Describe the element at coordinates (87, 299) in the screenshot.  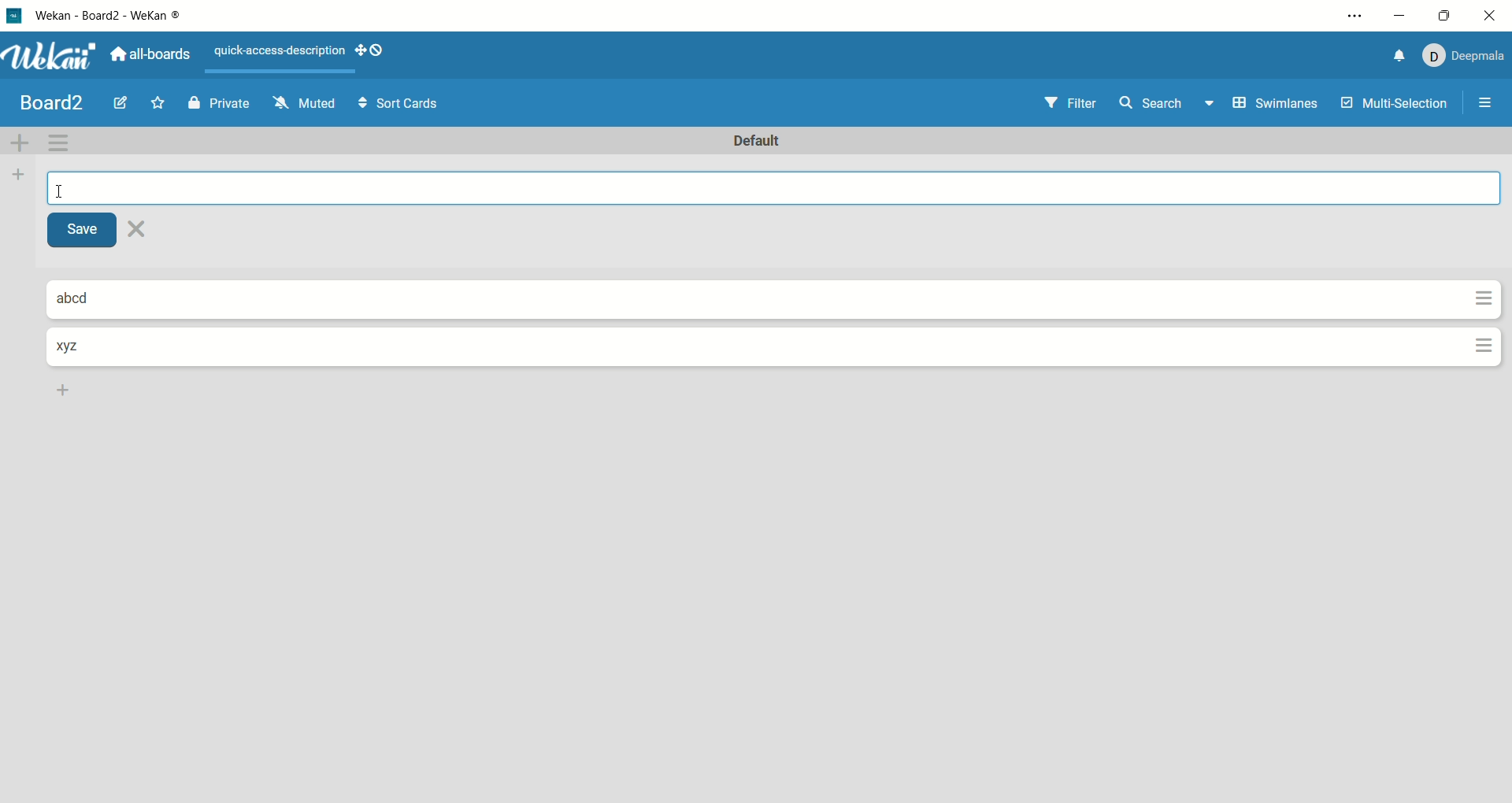
I see `list title` at that location.